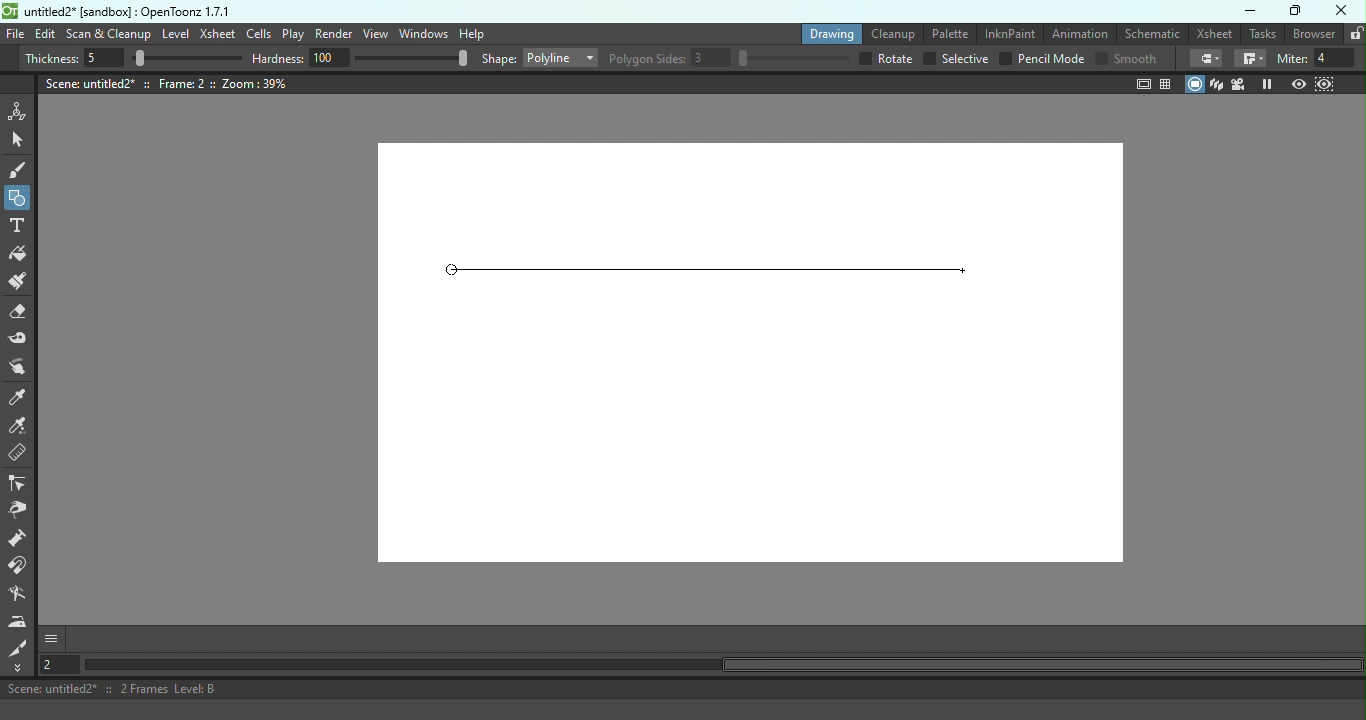 This screenshot has width=1366, height=720. I want to click on Miter, so click(1320, 59).